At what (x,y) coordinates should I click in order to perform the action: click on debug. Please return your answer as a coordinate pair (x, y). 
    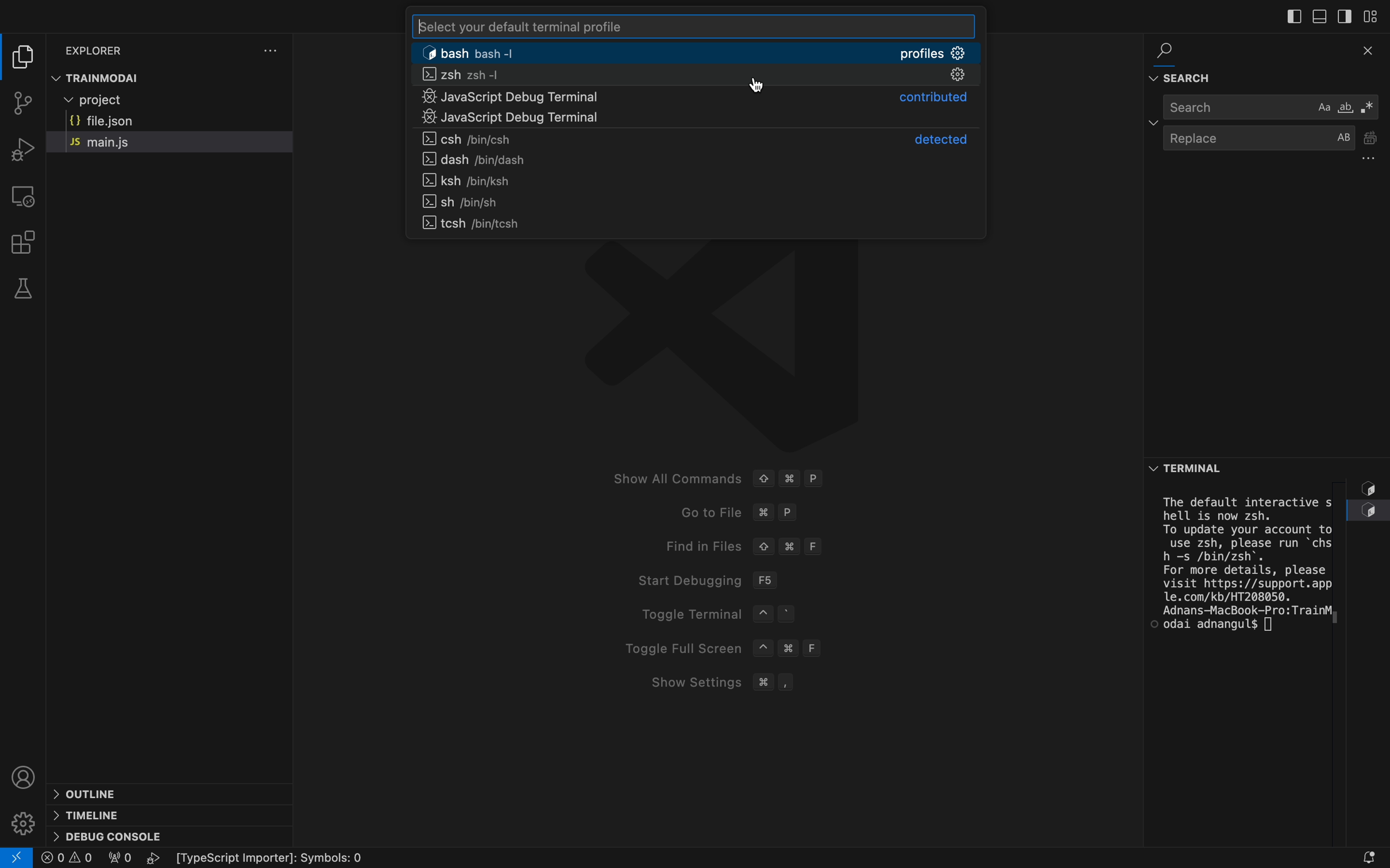
    Looking at the image, I should click on (20, 149).